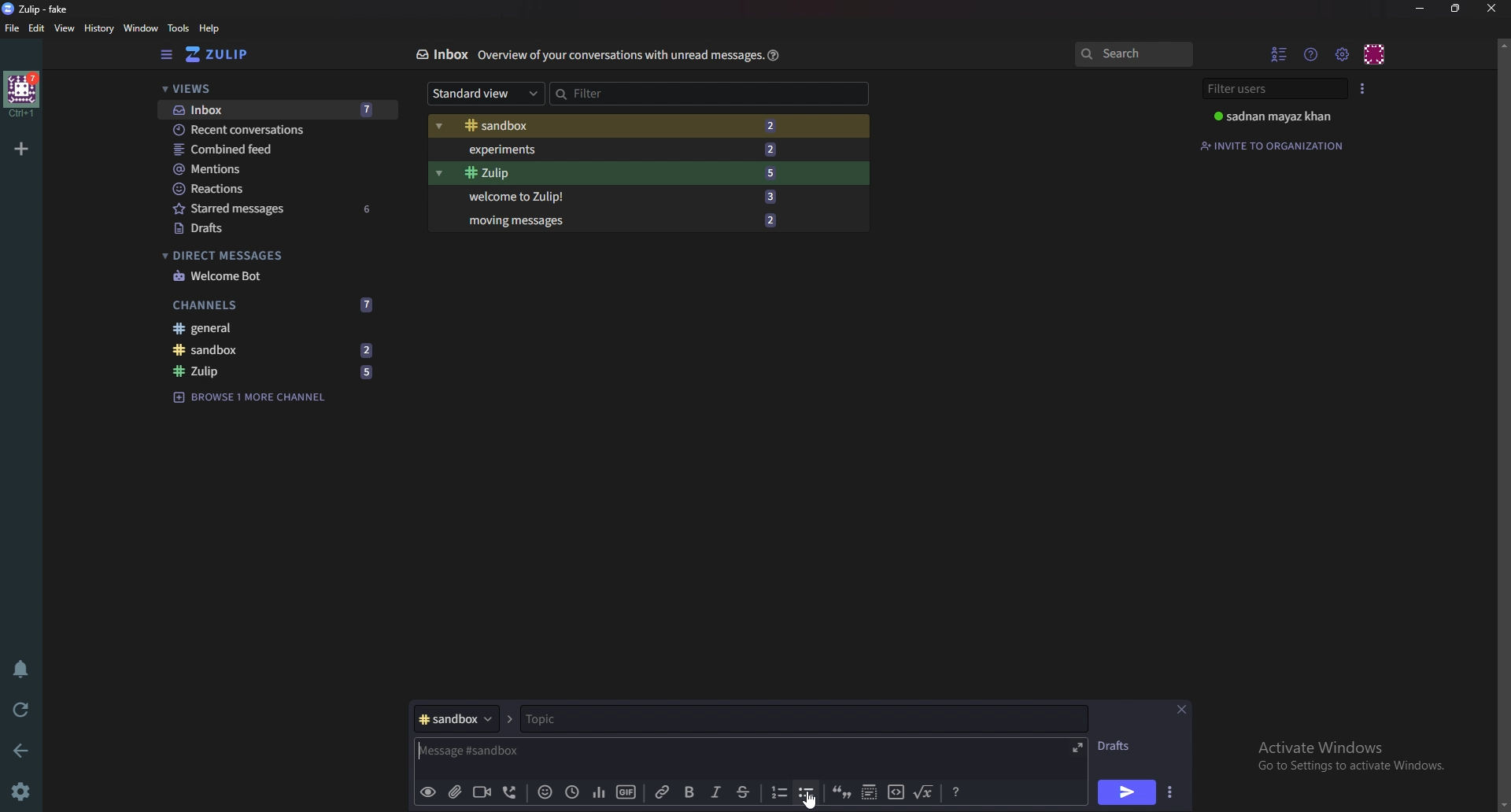 Image resolution: width=1511 pixels, height=812 pixels. Describe the element at coordinates (24, 749) in the screenshot. I see `Back` at that location.